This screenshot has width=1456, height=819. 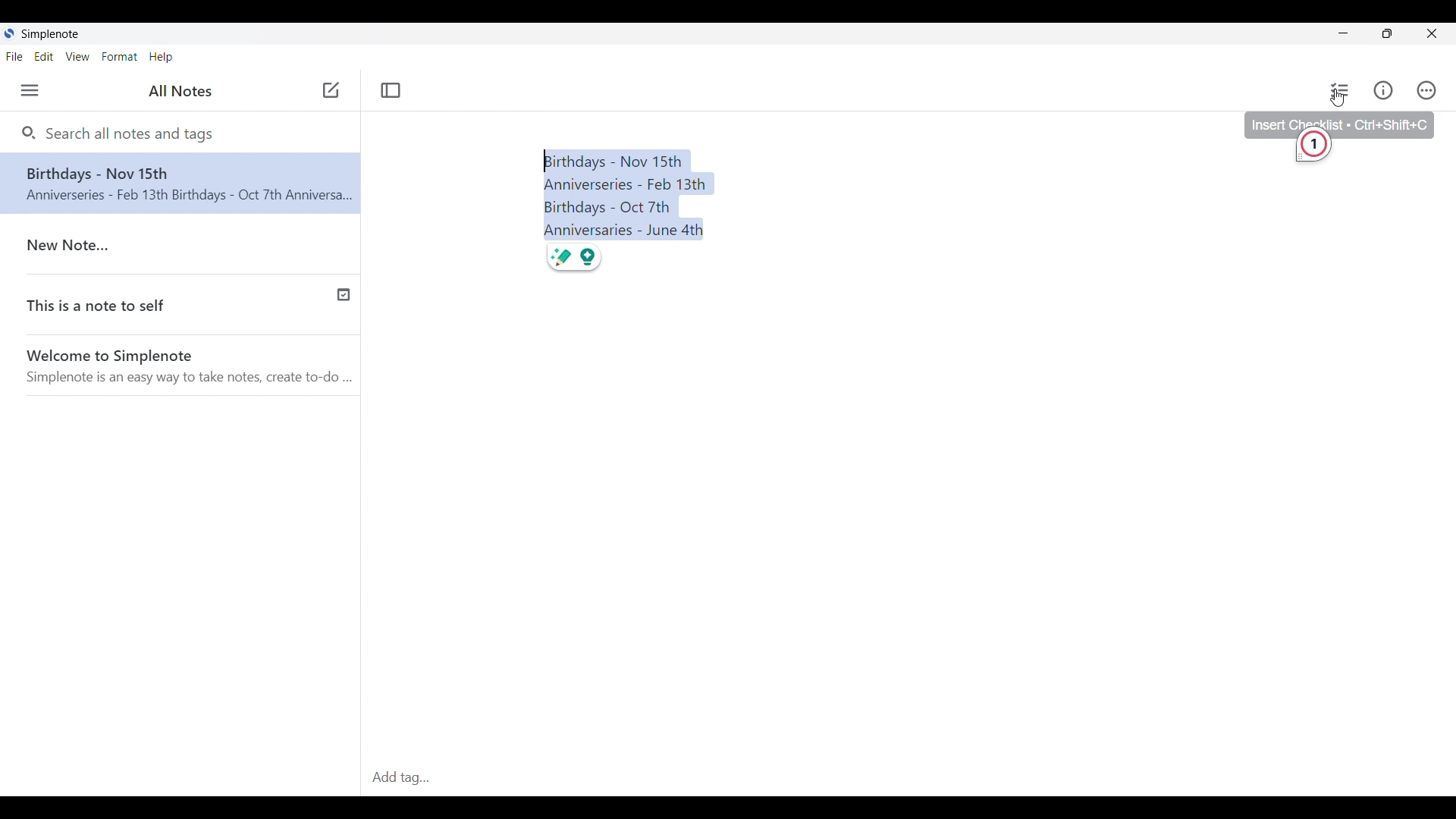 I want to click on Info, so click(x=1383, y=89).